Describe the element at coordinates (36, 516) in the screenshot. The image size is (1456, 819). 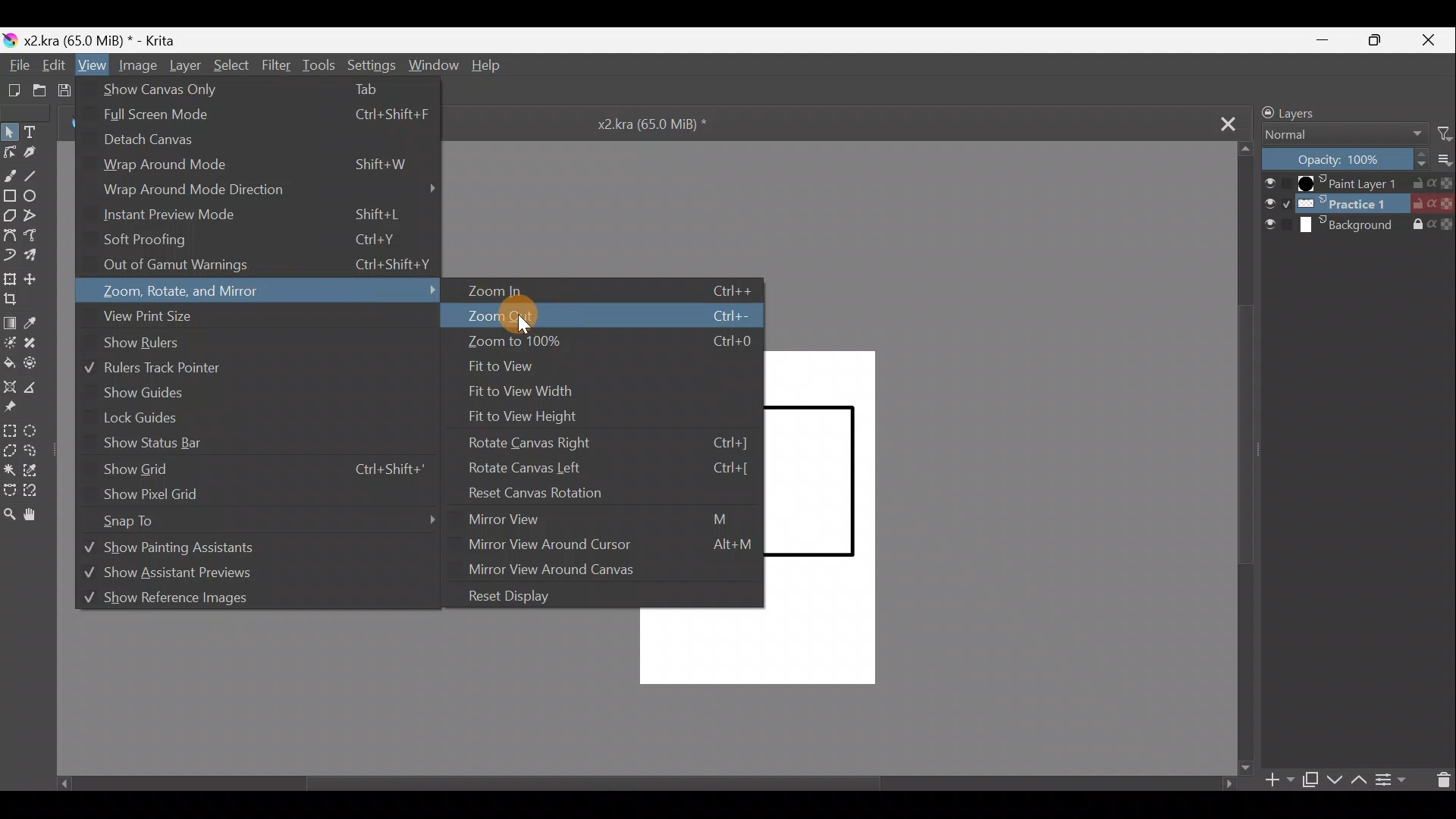
I see `Pan tool` at that location.